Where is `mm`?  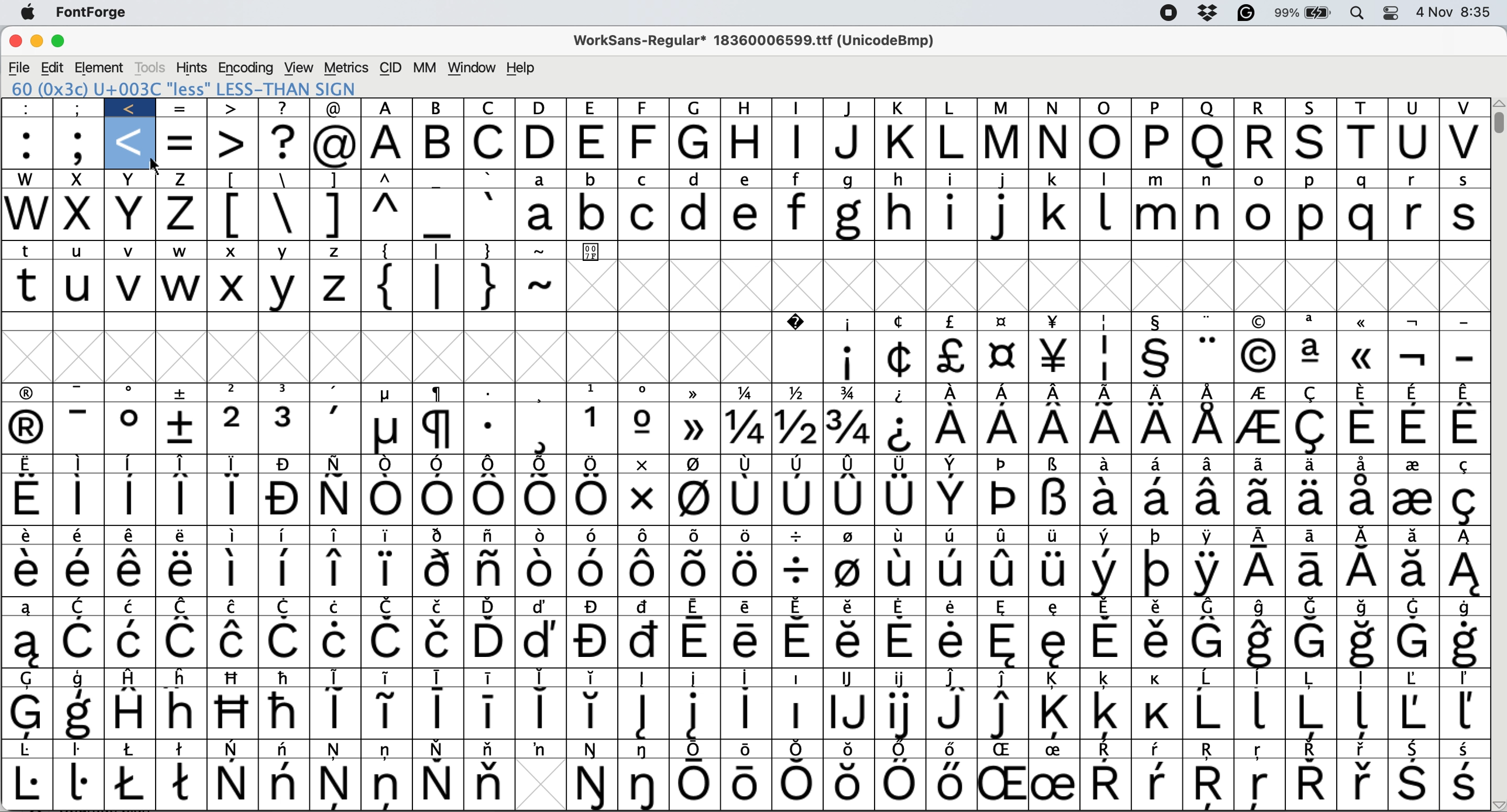
mm is located at coordinates (426, 67).